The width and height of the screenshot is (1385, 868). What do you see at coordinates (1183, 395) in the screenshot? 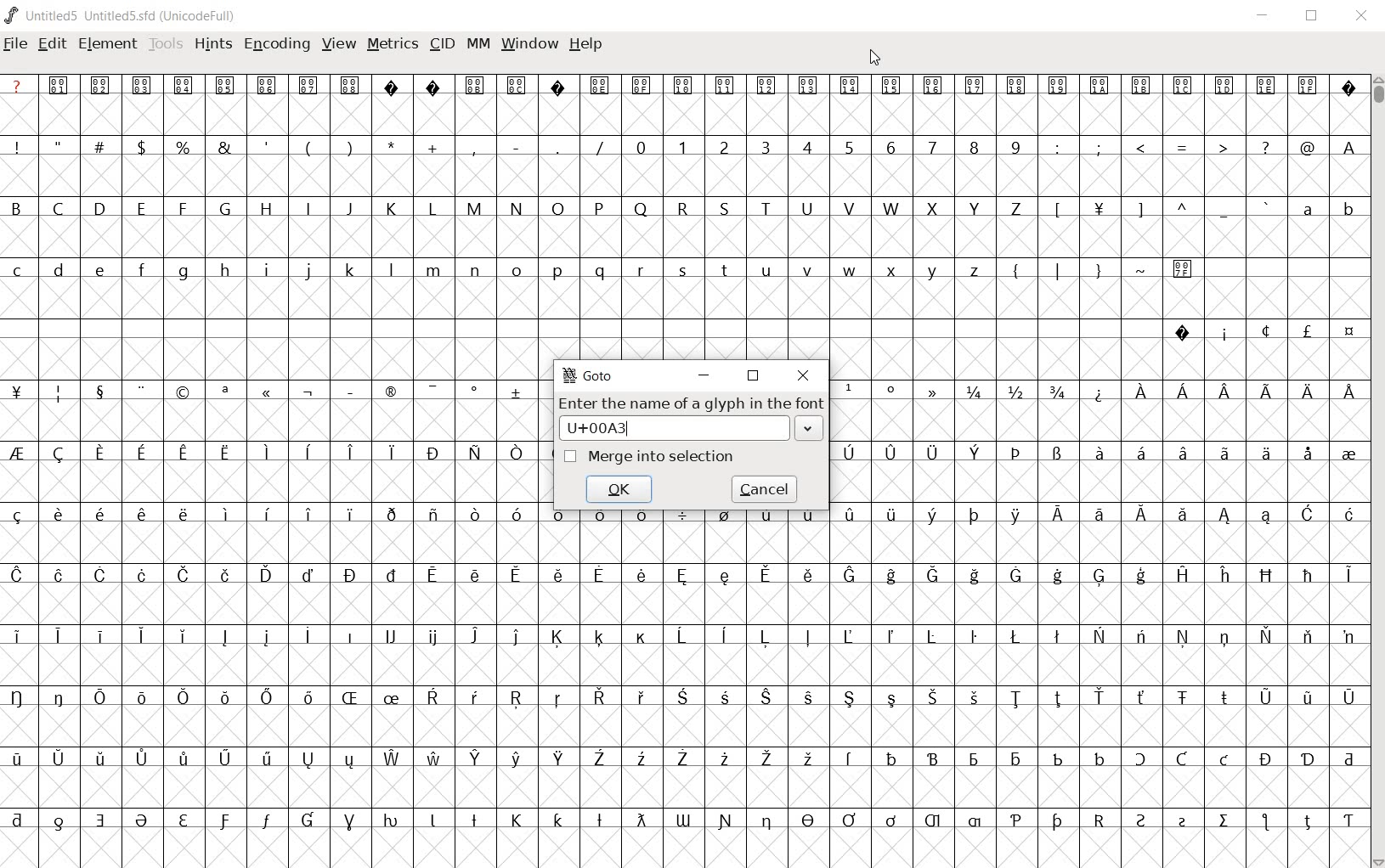
I see `Symbol` at bounding box center [1183, 395].